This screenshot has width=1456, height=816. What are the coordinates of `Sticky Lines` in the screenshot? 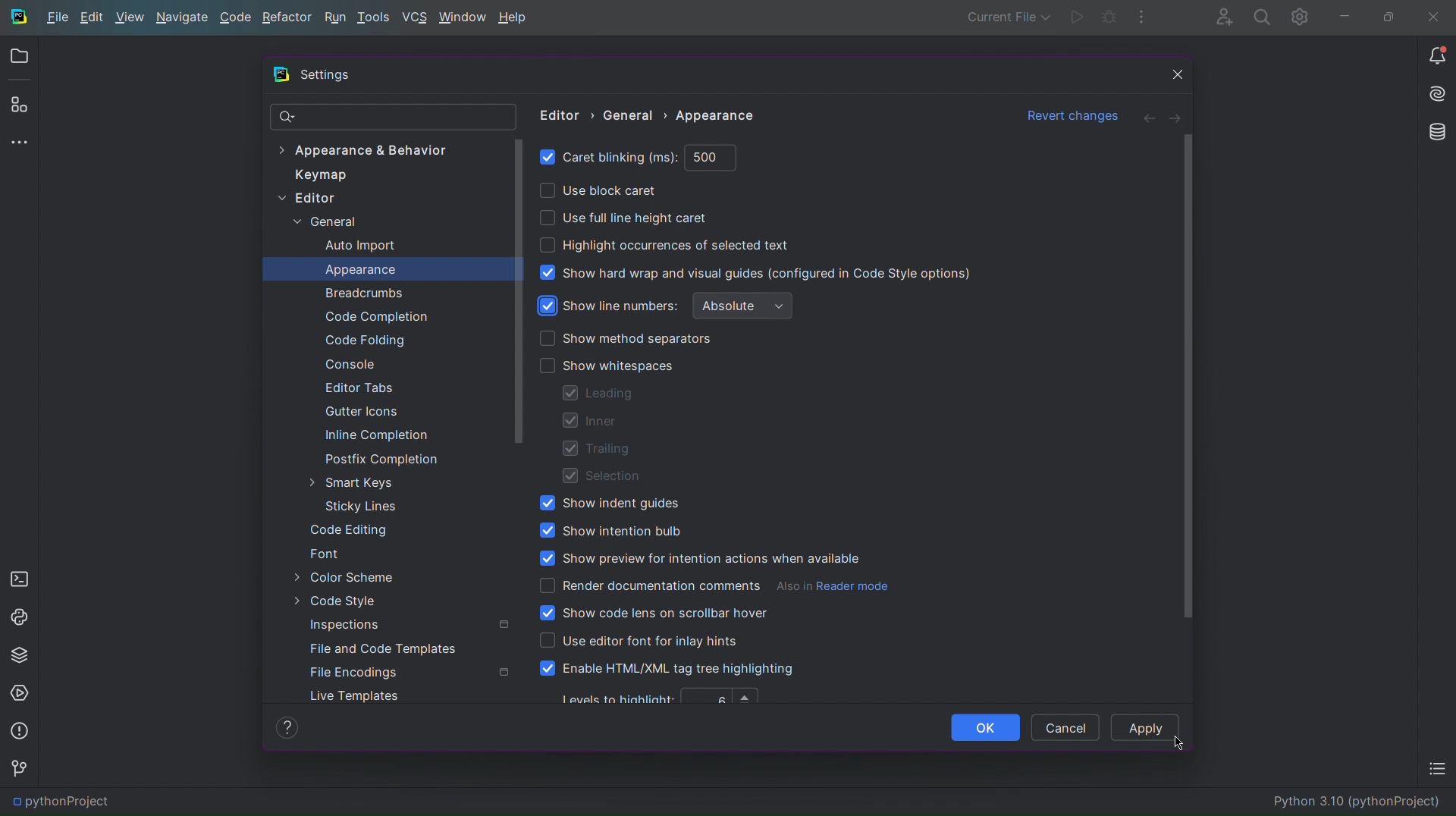 It's located at (356, 507).